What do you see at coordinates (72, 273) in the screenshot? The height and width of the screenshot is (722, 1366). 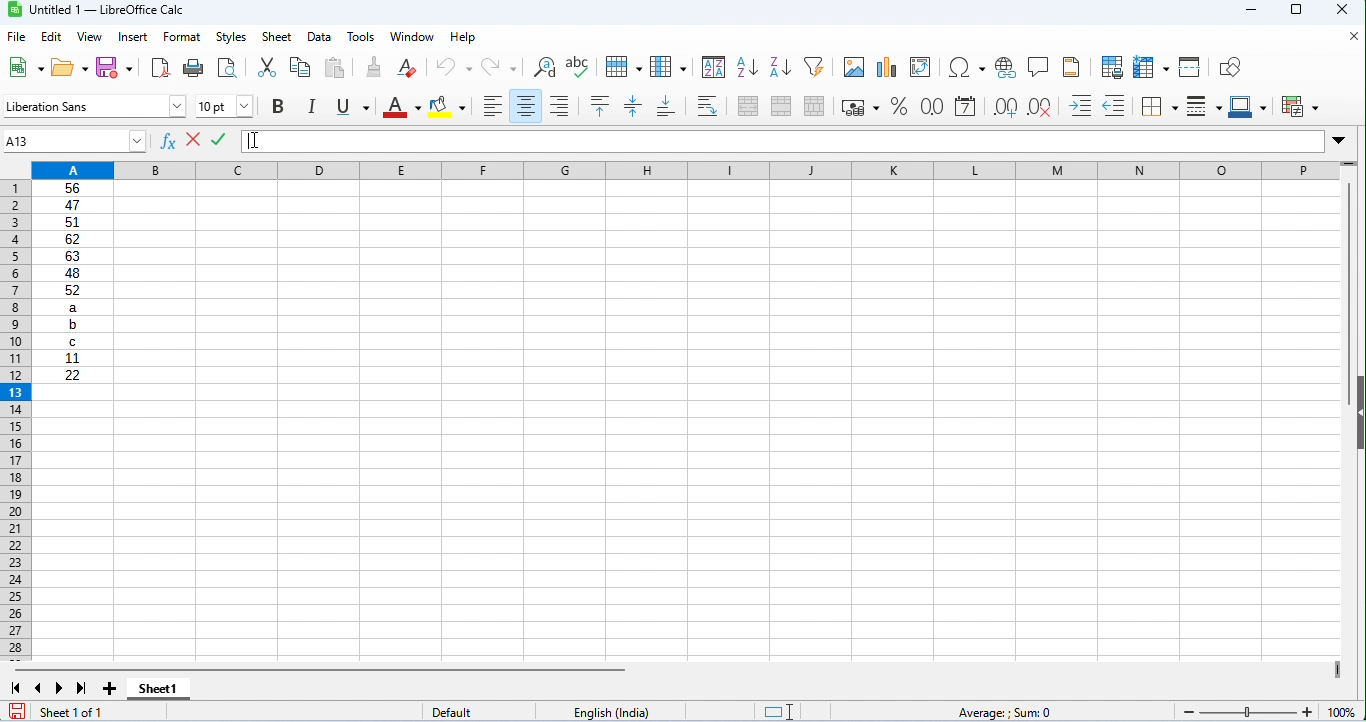 I see `48` at bounding box center [72, 273].